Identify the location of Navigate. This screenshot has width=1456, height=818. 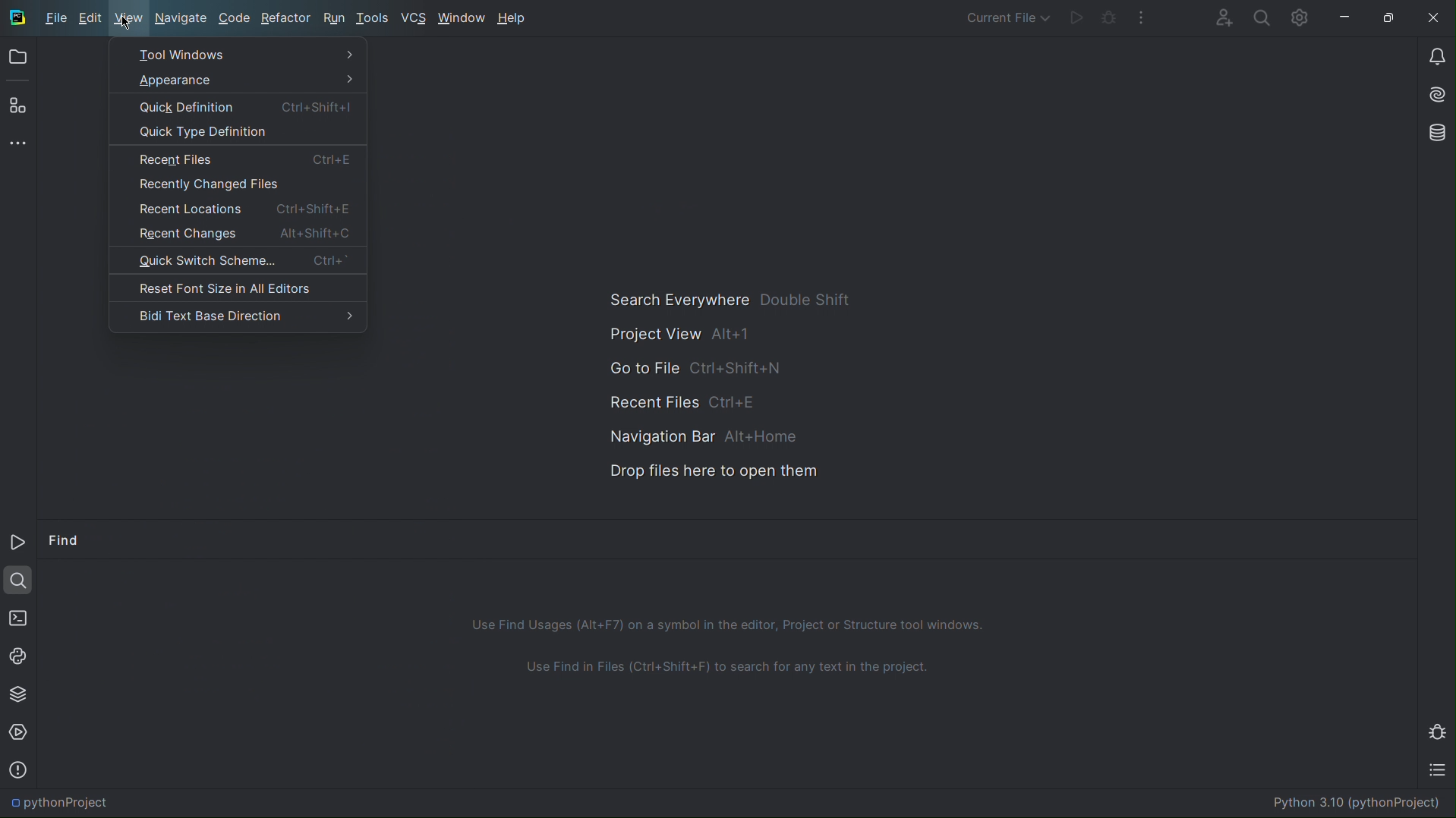
(181, 18).